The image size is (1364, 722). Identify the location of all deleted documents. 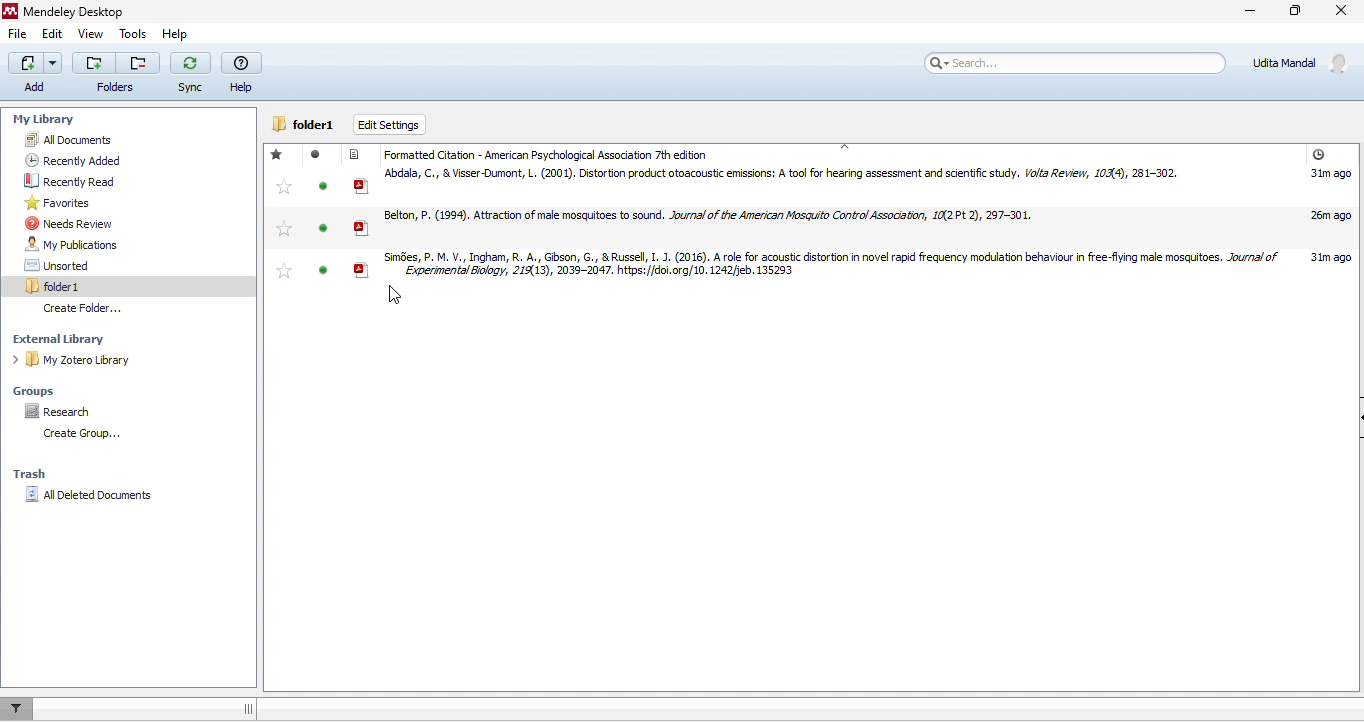
(90, 501).